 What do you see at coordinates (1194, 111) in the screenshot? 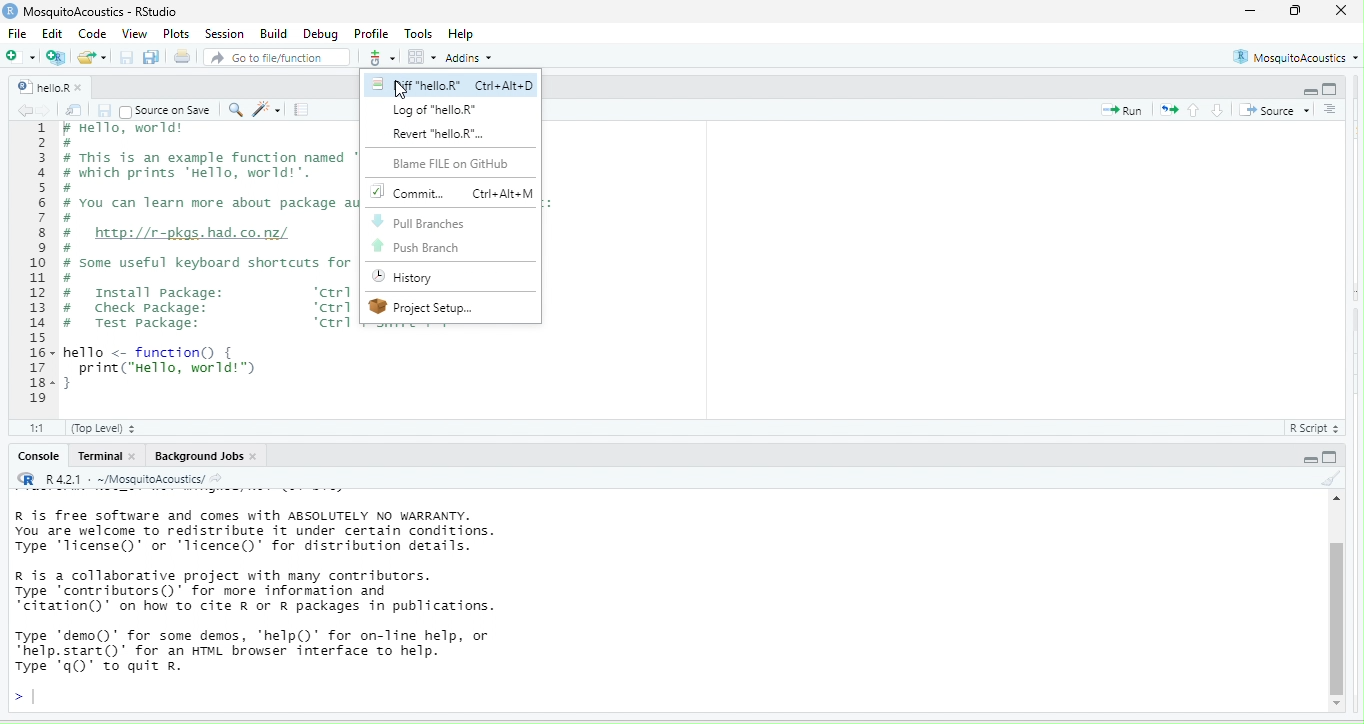
I see `go to previous section/chunk` at bounding box center [1194, 111].